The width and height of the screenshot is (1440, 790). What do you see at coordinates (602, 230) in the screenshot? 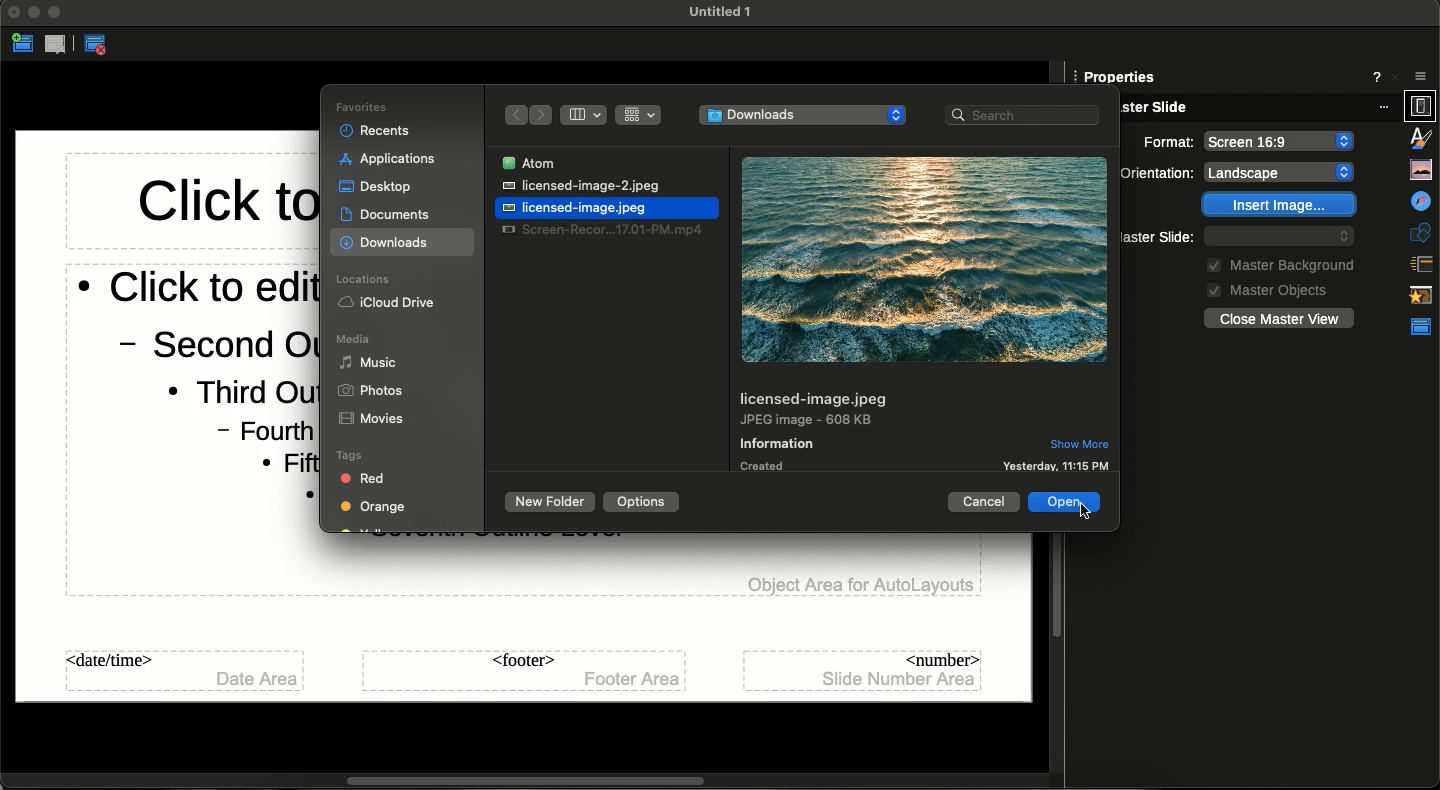
I see `File` at bounding box center [602, 230].